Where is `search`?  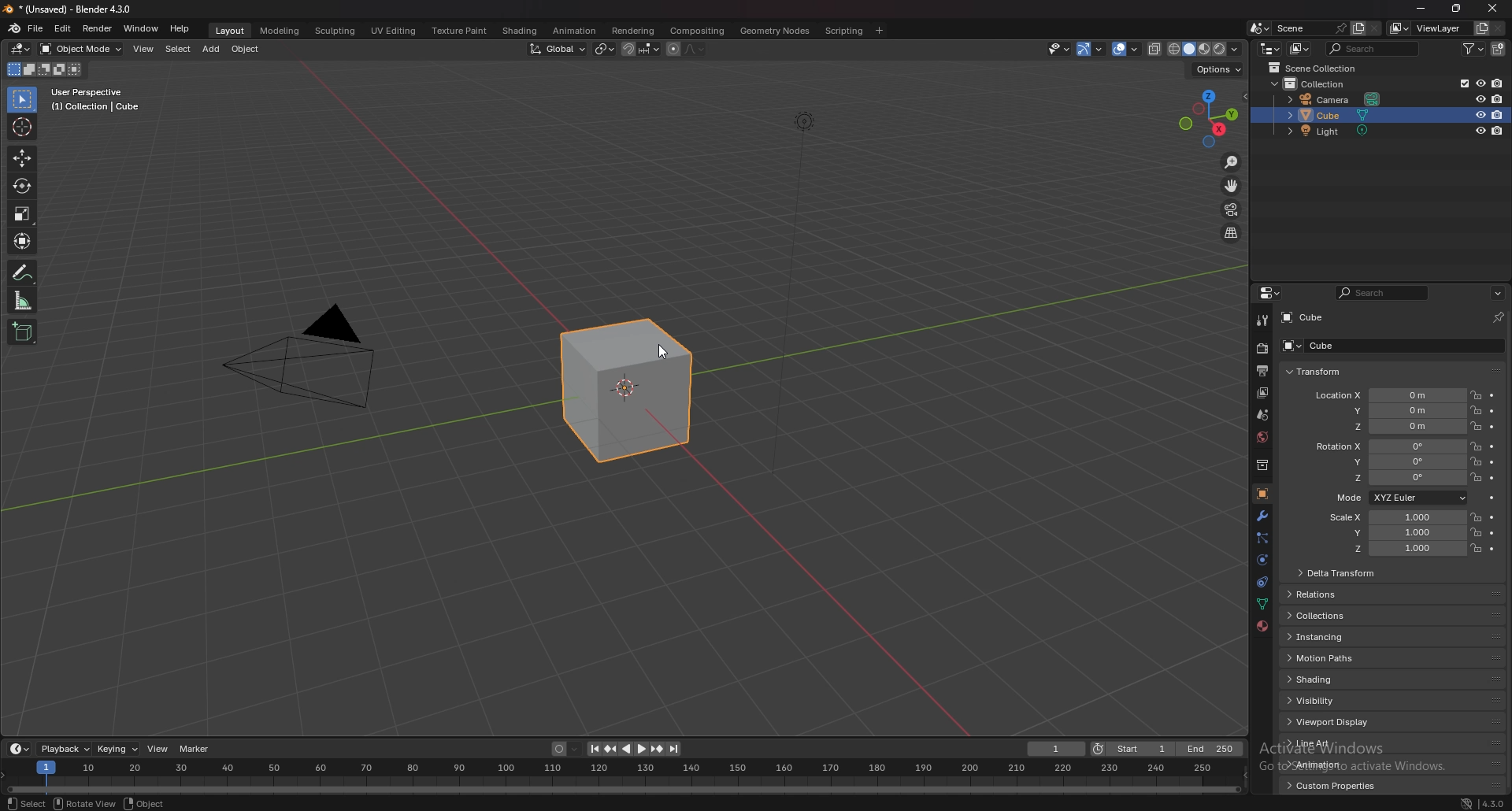
search is located at coordinates (1373, 48).